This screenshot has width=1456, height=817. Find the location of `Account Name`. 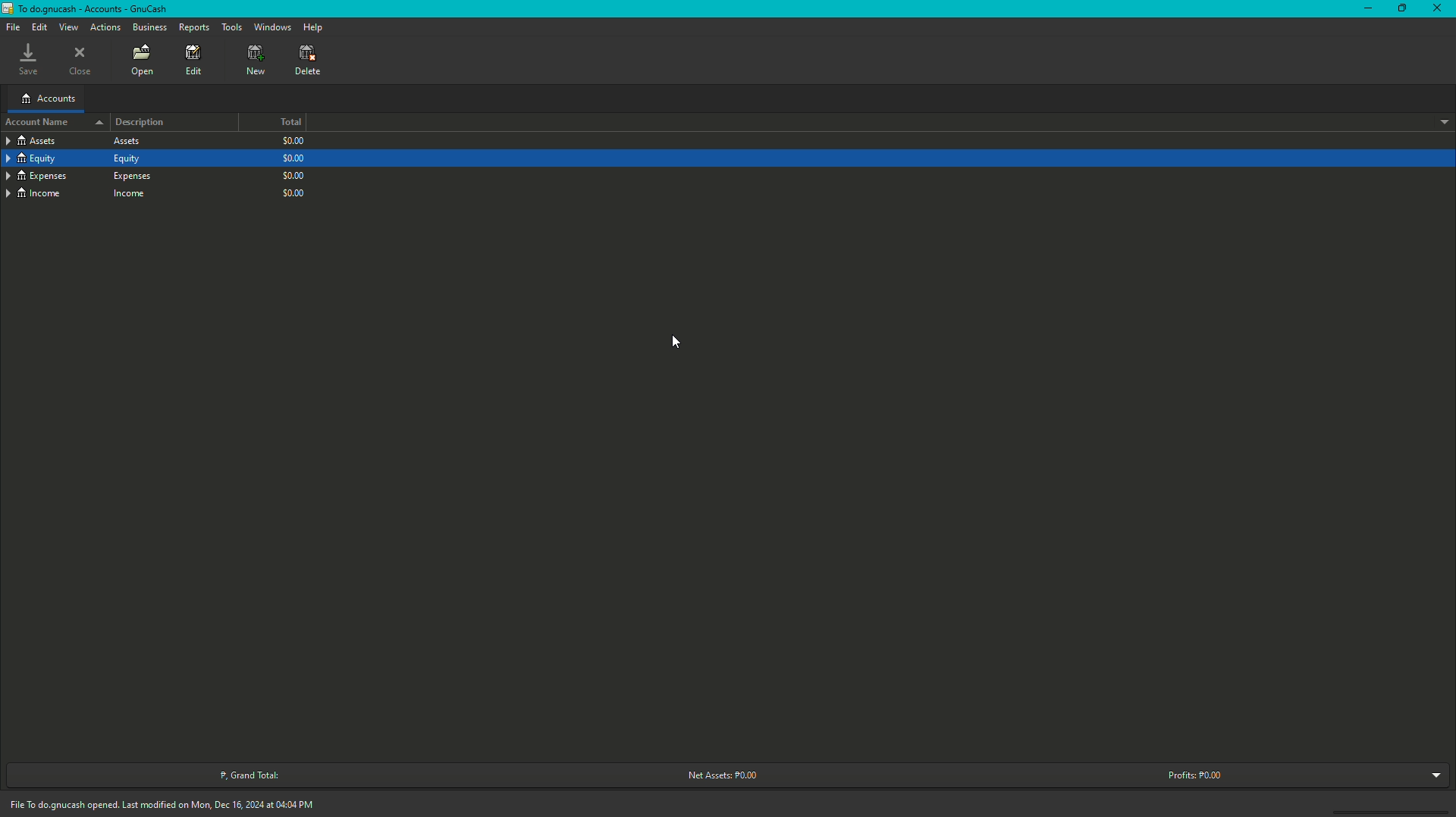

Account Name is located at coordinates (55, 122).